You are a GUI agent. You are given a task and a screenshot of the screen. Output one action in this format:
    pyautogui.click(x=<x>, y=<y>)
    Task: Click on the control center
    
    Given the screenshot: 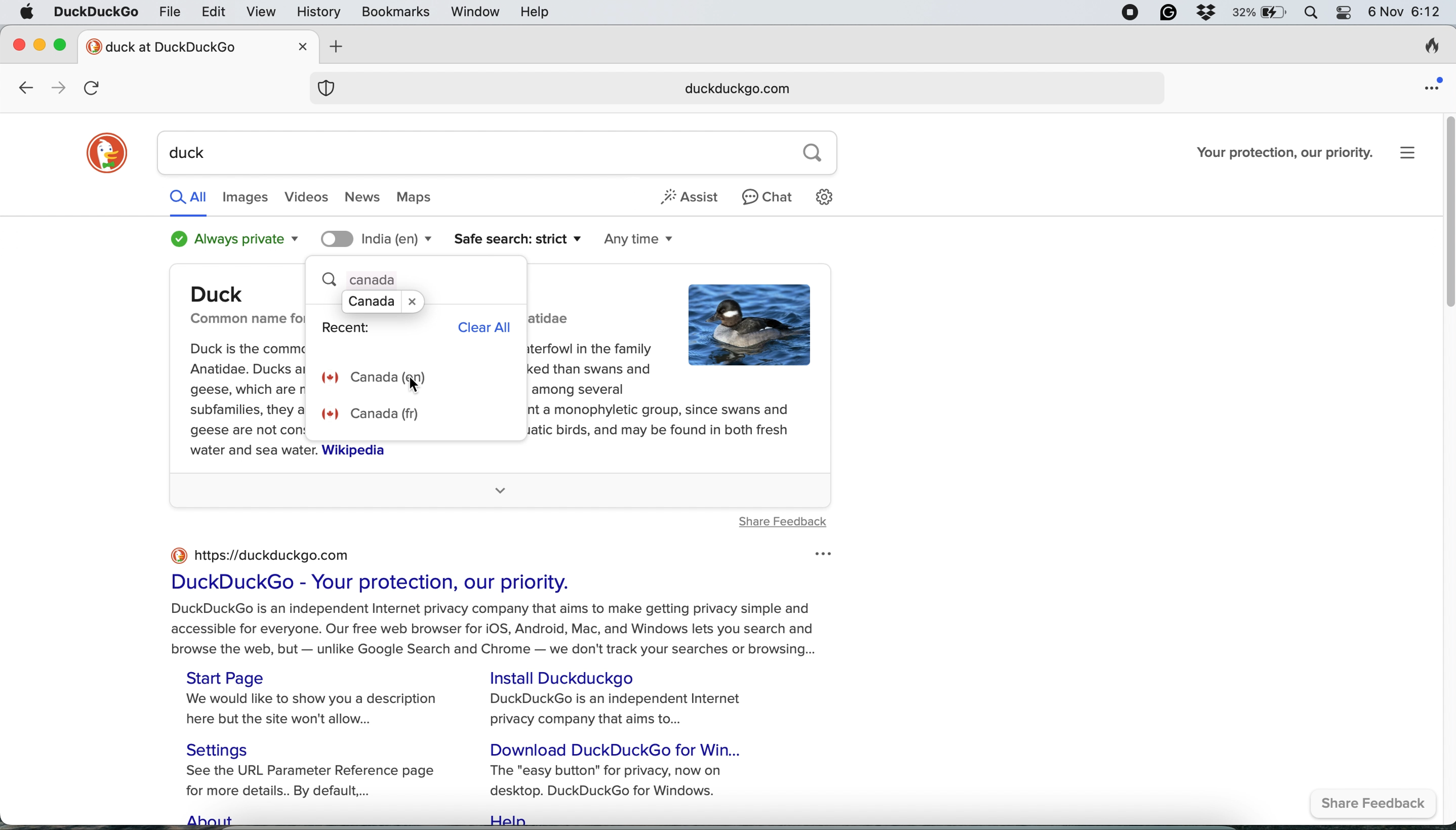 What is the action you would take?
    pyautogui.click(x=1344, y=14)
    